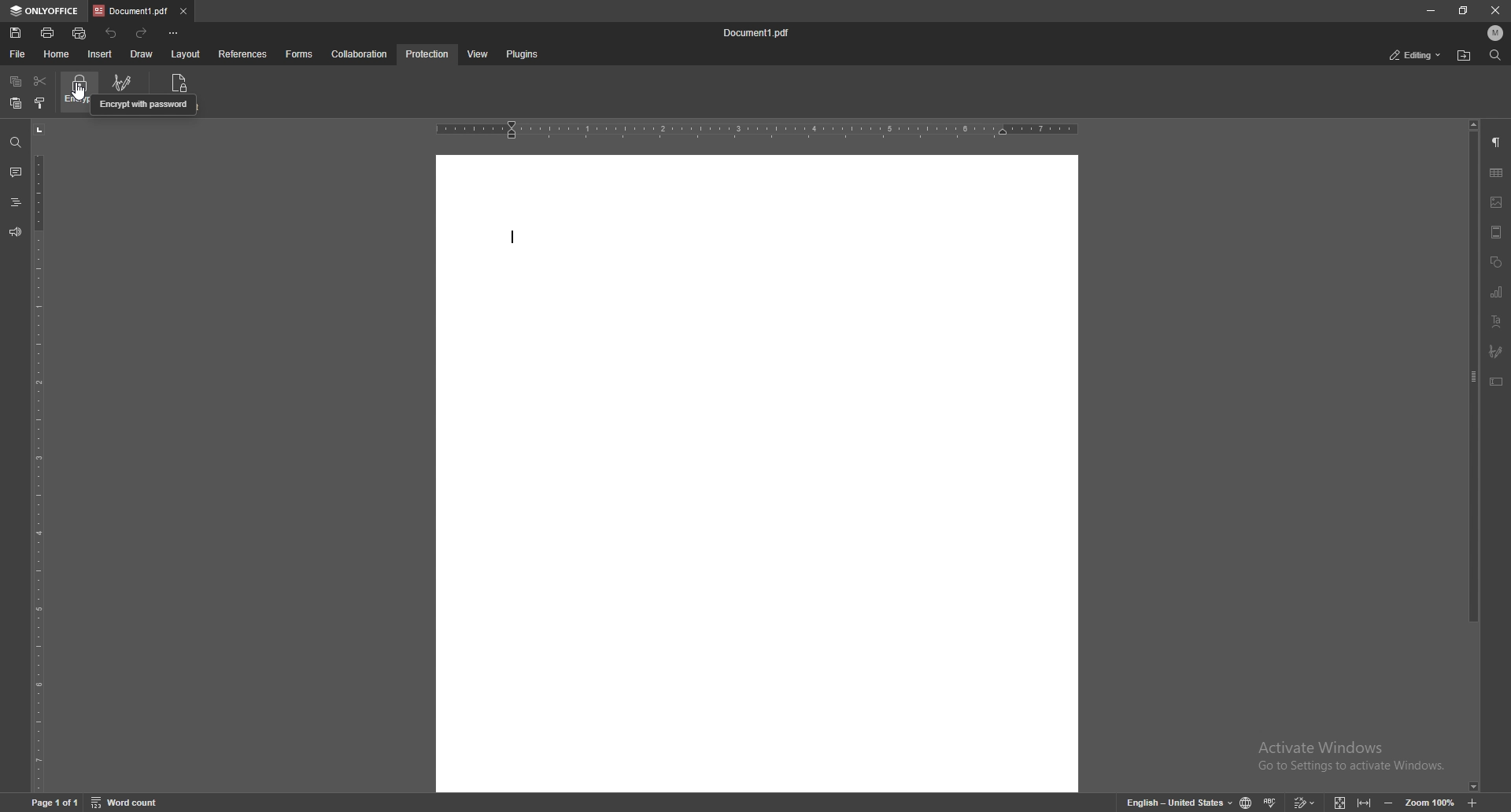 This screenshot has height=812, width=1511. What do you see at coordinates (40, 102) in the screenshot?
I see `copy style` at bounding box center [40, 102].